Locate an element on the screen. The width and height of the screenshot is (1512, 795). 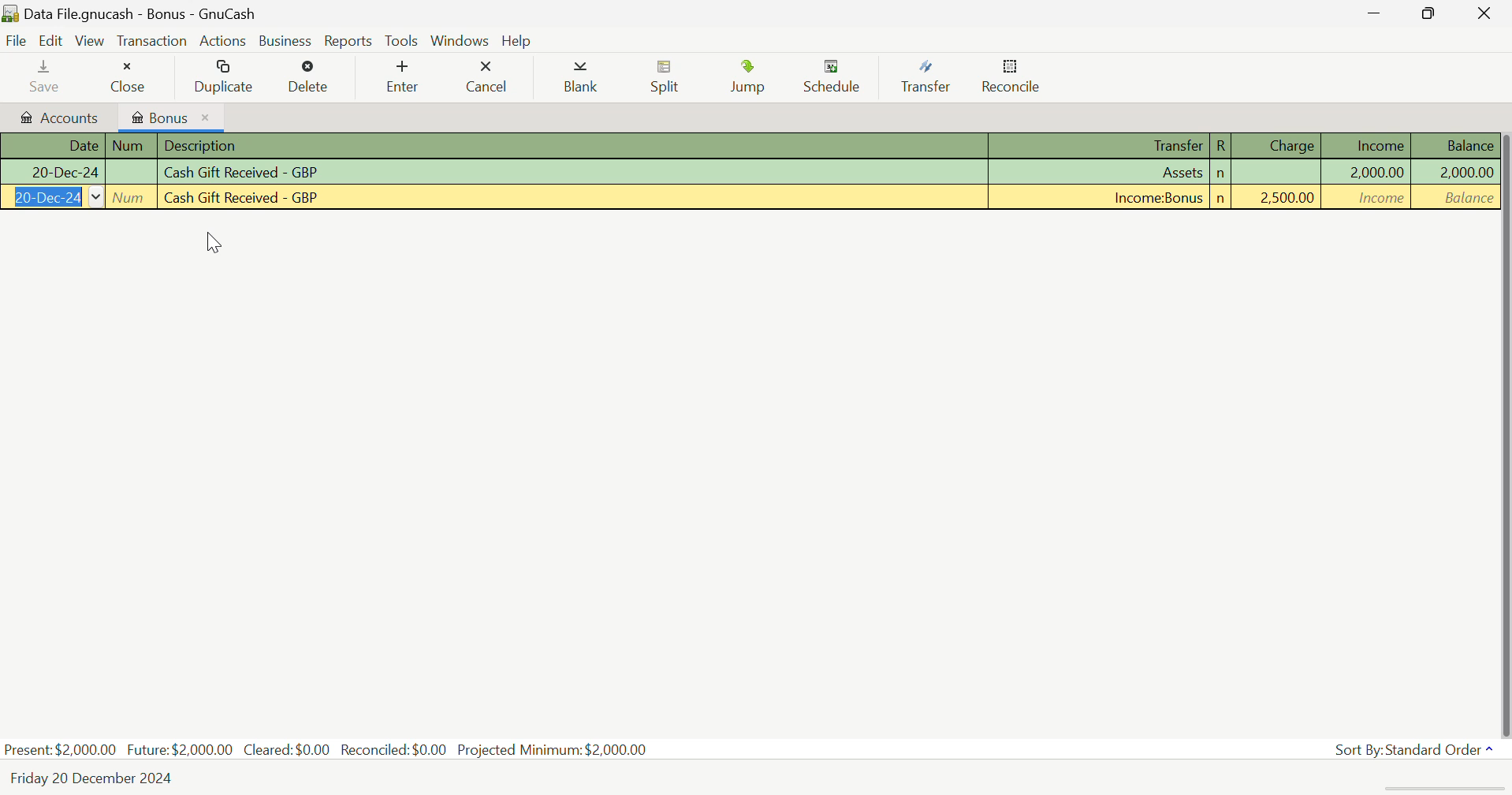
Transfer is located at coordinates (1103, 198).